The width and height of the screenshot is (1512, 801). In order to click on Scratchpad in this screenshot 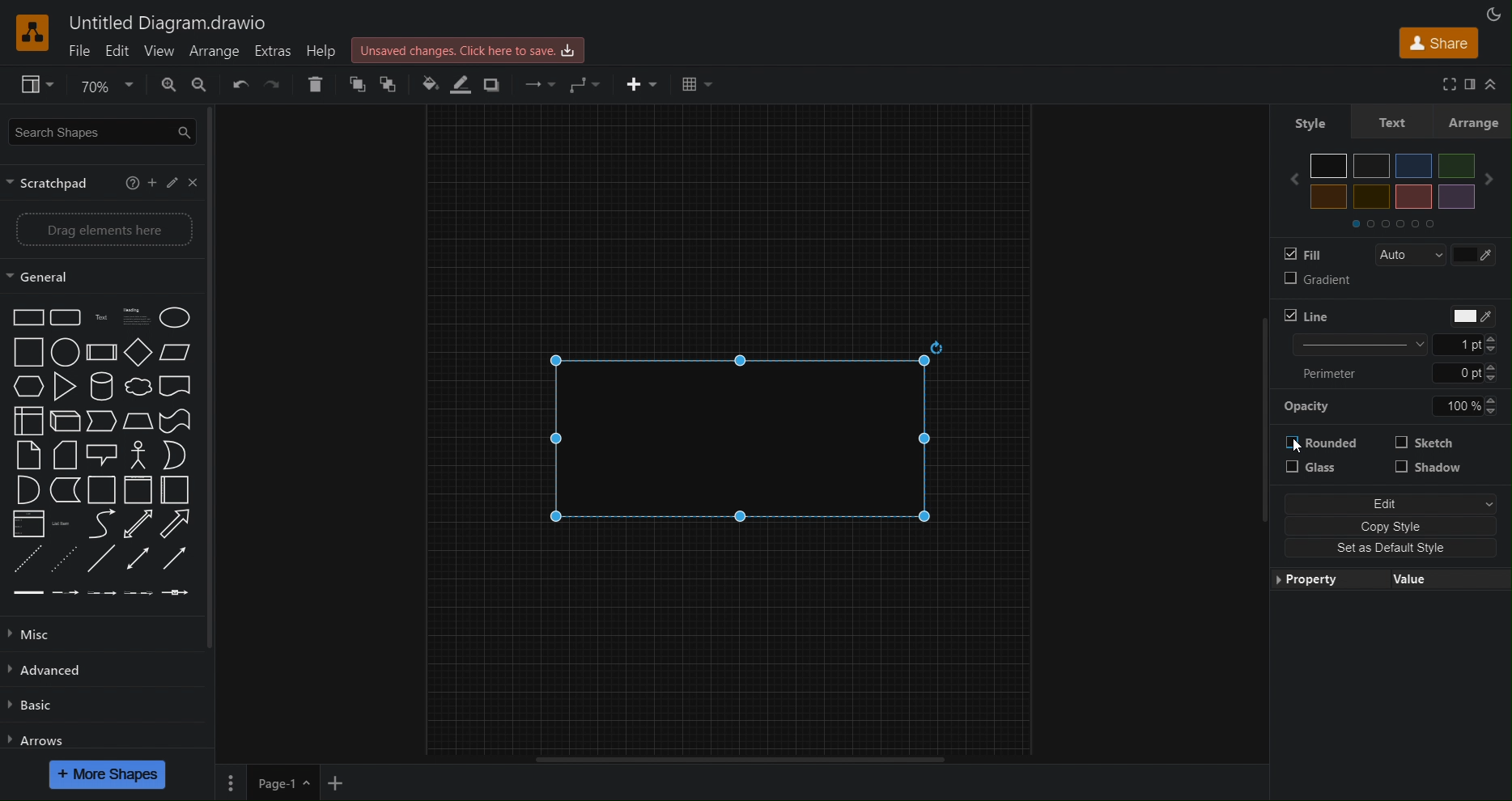, I will do `click(53, 184)`.